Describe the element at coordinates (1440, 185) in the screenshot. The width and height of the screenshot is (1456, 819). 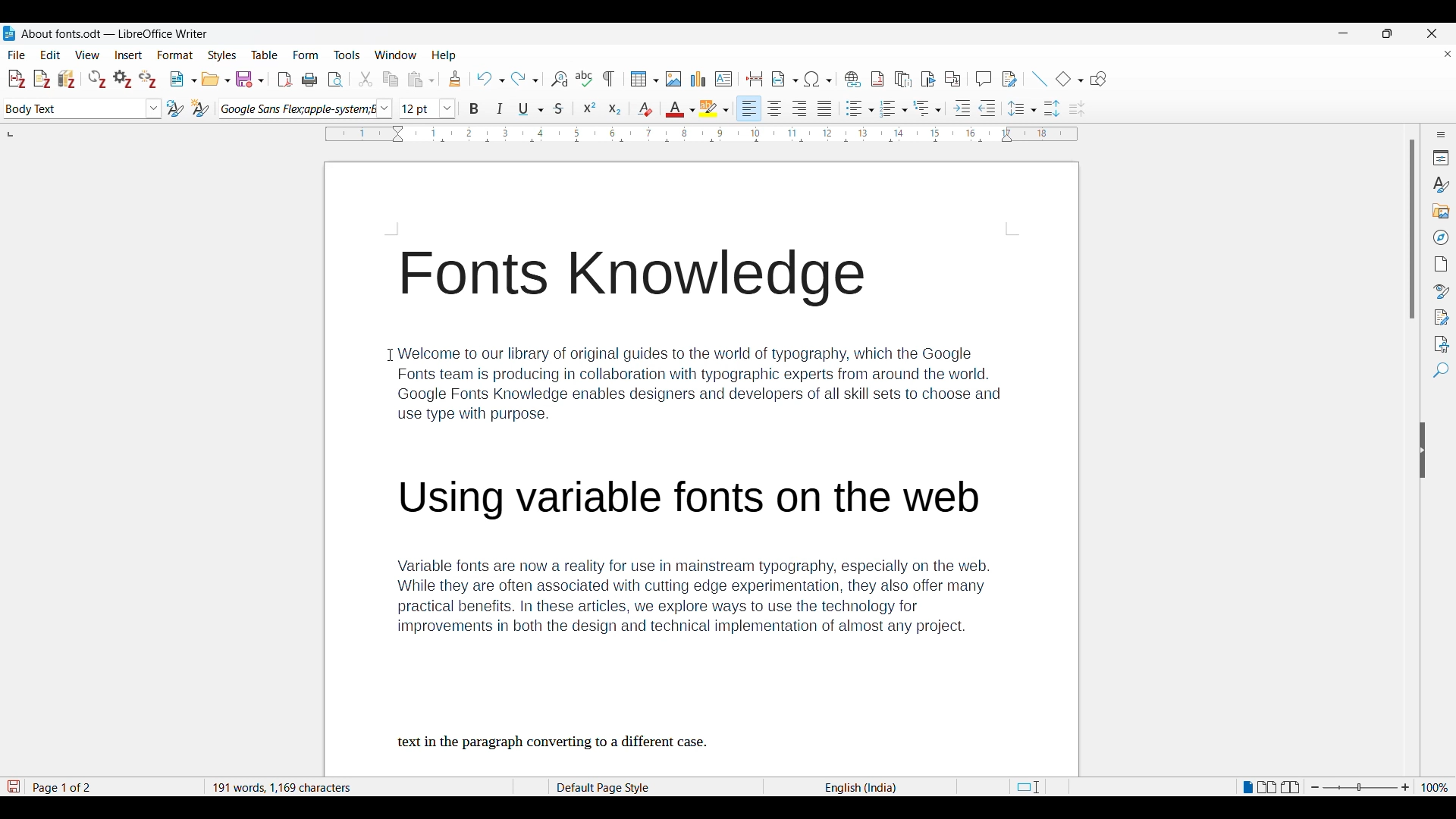
I see `Styles` at that location.